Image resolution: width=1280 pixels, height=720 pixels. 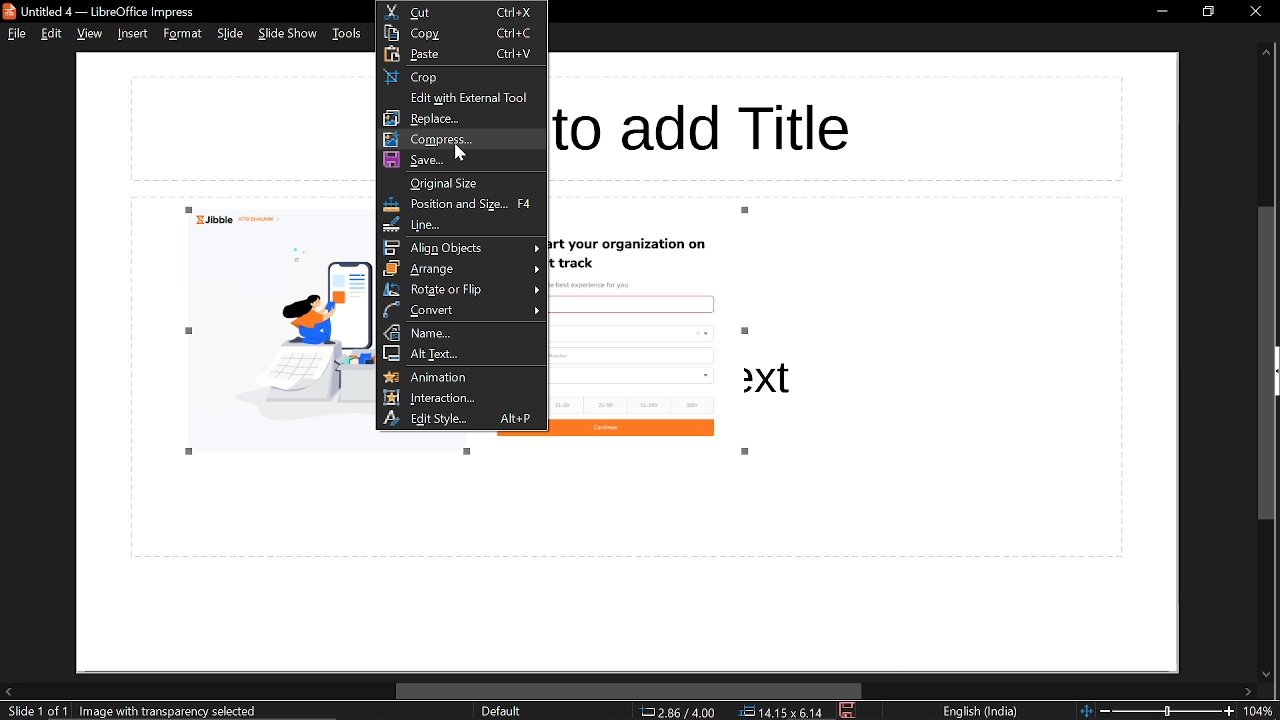 What do you see at coordinates (462, 225) in the screenshot?
I see `line` at bounding box center [462, 225].